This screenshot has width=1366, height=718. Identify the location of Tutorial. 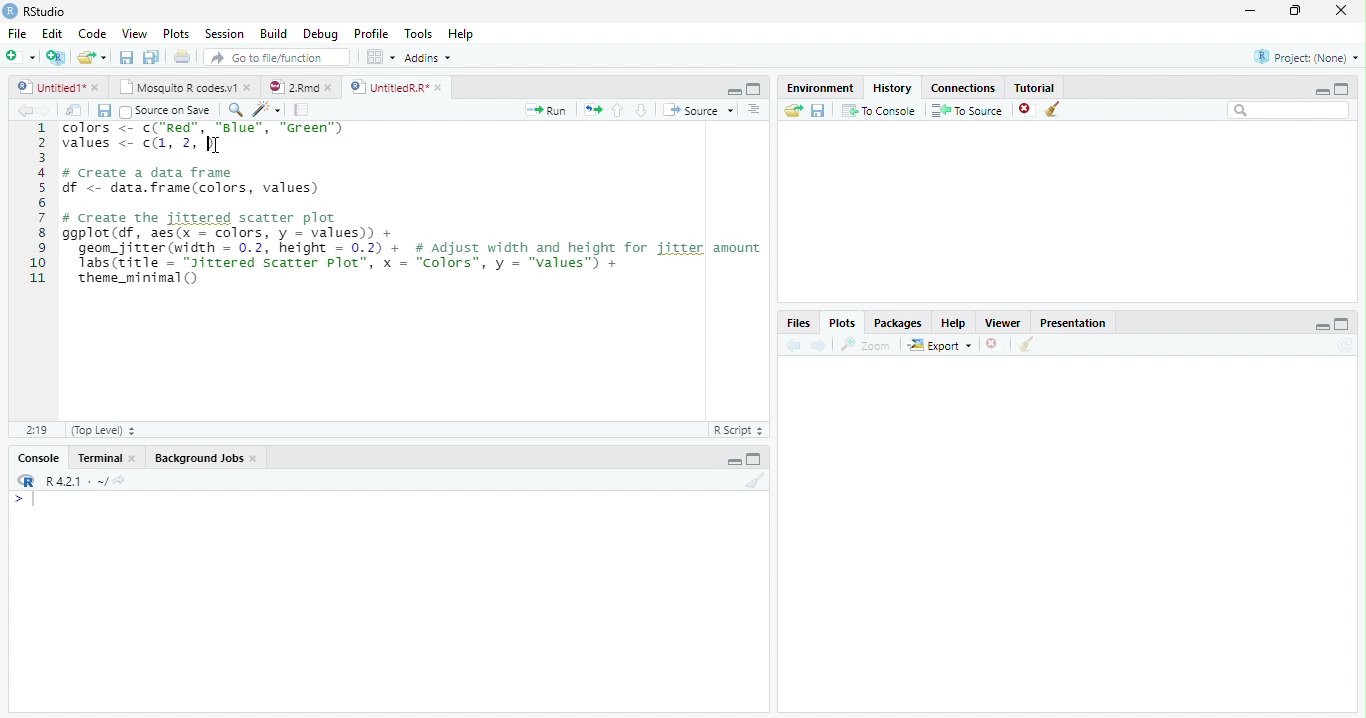
(1035, 87).